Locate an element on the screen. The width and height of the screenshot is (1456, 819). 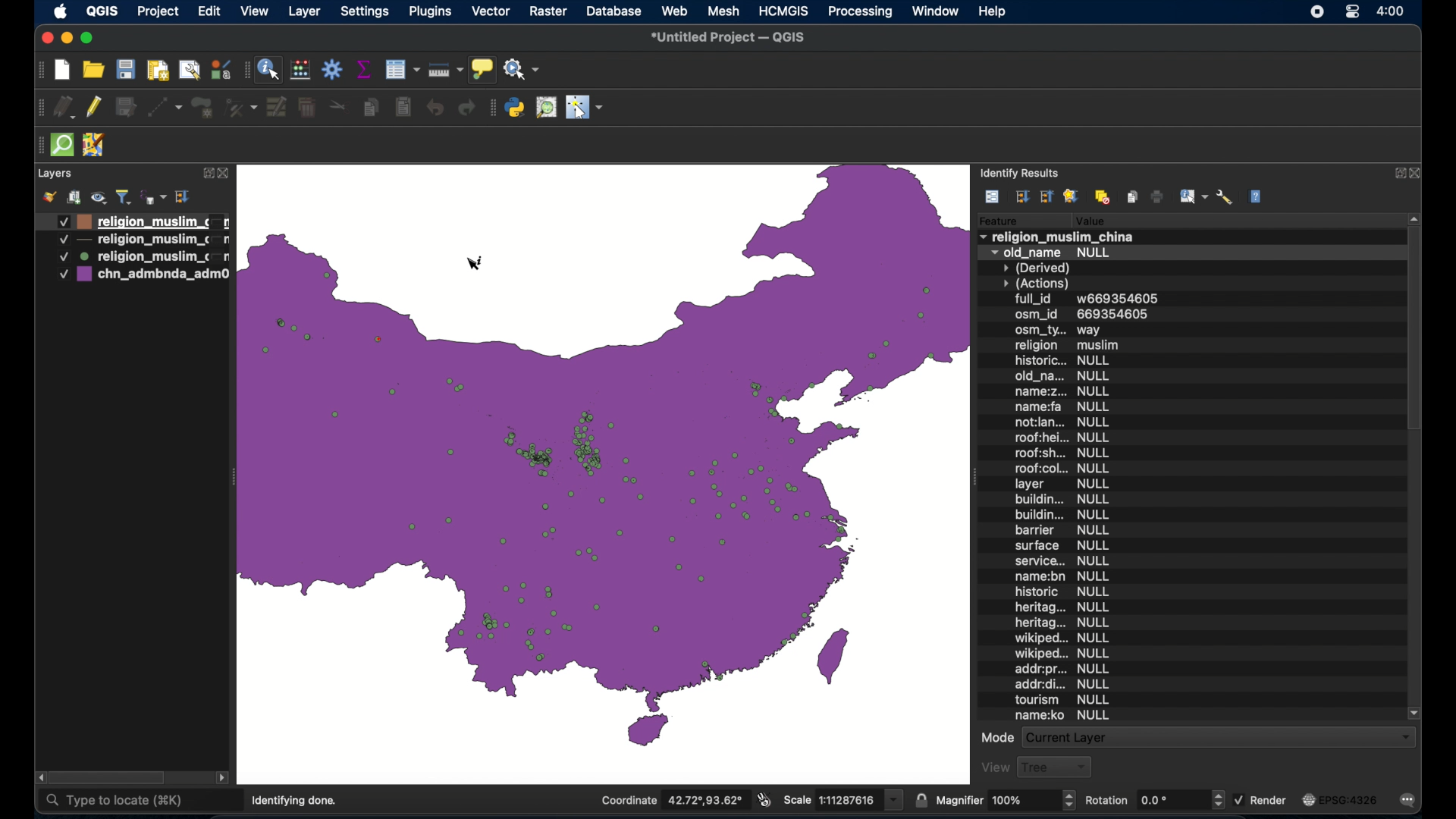
mesh is located at coordinates (724, 10).